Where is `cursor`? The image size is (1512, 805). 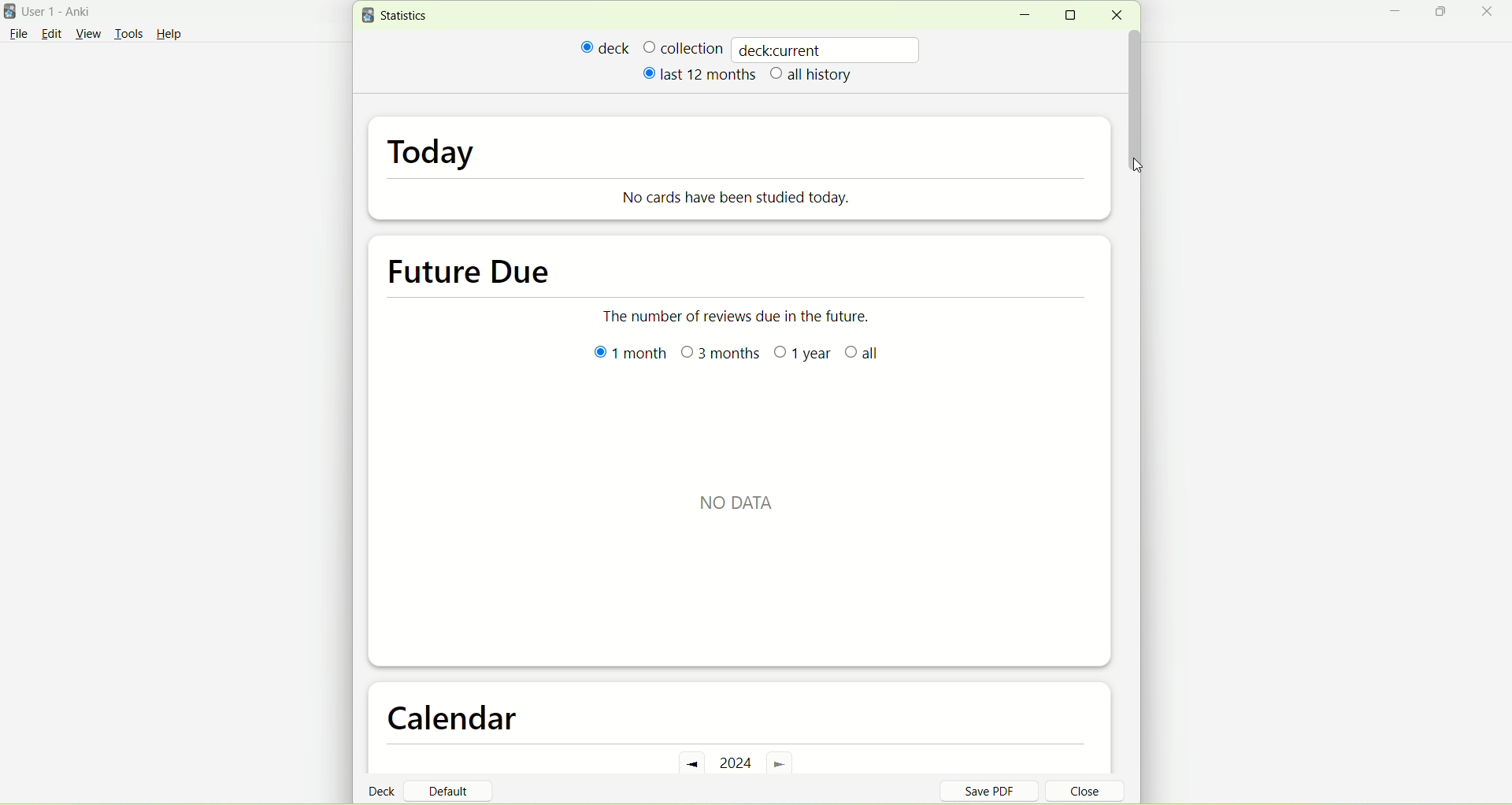 cursor is located at coordinates (1140, 165).